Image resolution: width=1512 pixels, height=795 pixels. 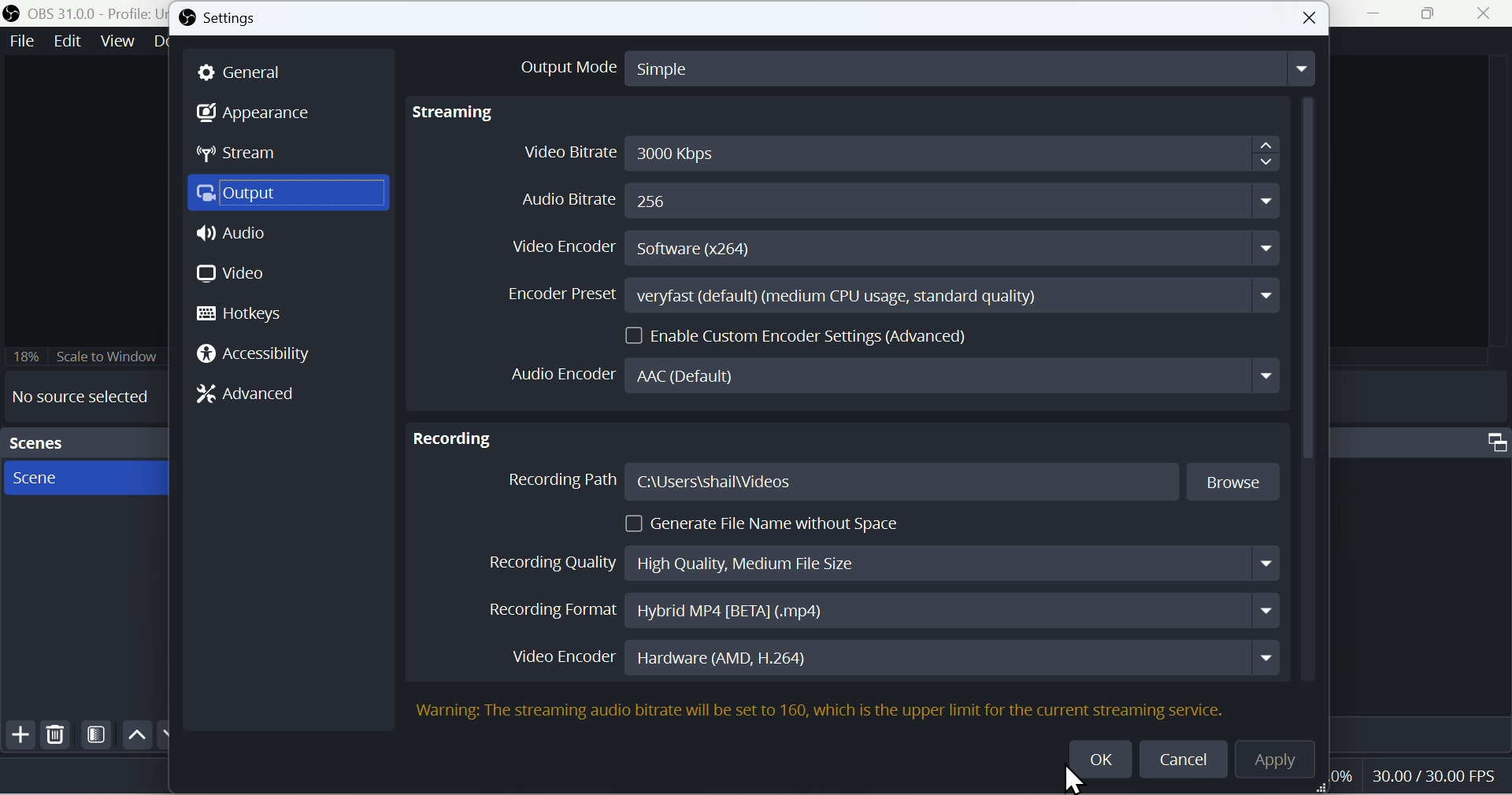 I want to click on Enable Custom Encoder Settings, so click(x=802, y=334).